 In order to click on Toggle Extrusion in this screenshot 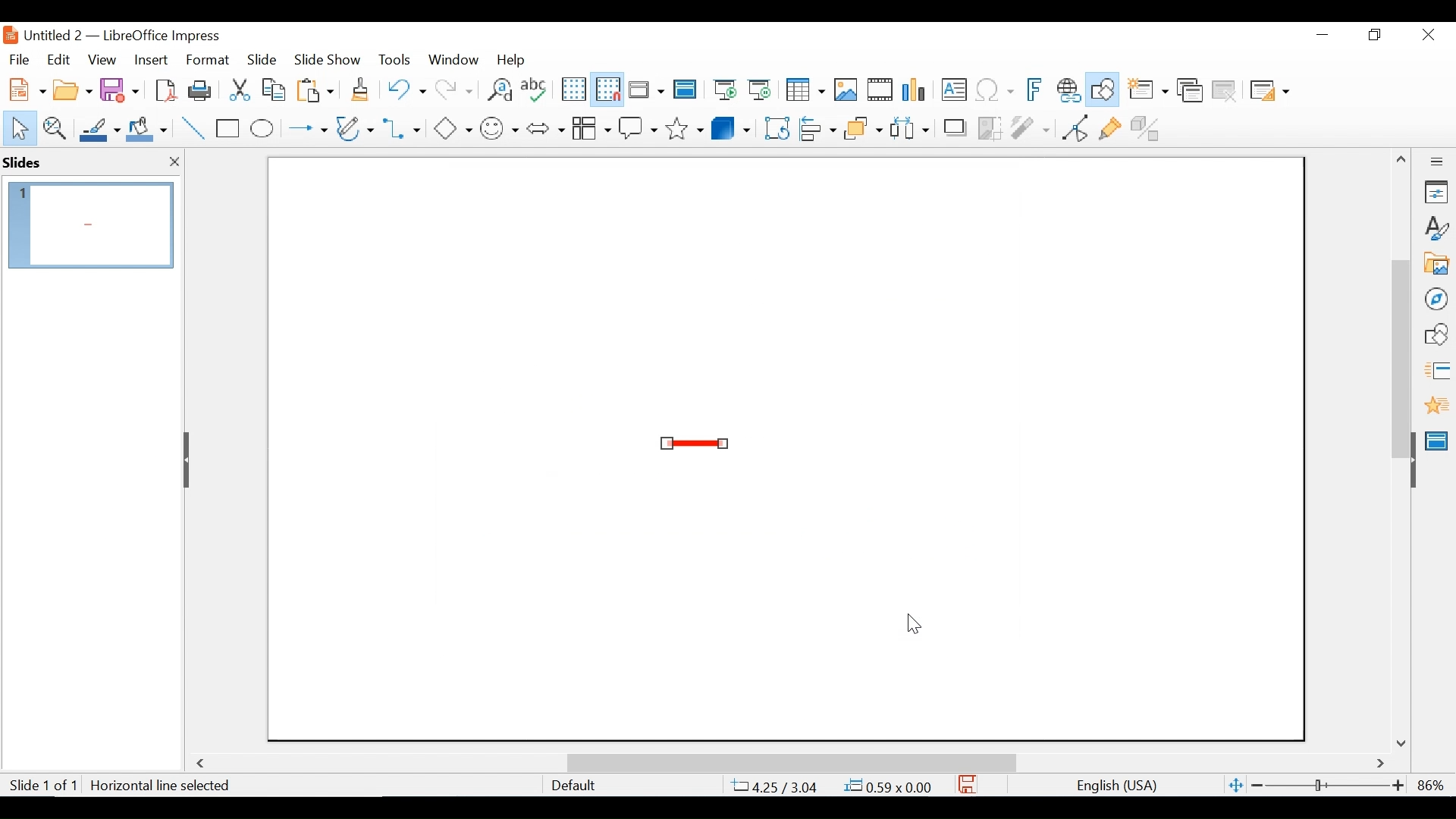, I will do `click(1149, 127)`.